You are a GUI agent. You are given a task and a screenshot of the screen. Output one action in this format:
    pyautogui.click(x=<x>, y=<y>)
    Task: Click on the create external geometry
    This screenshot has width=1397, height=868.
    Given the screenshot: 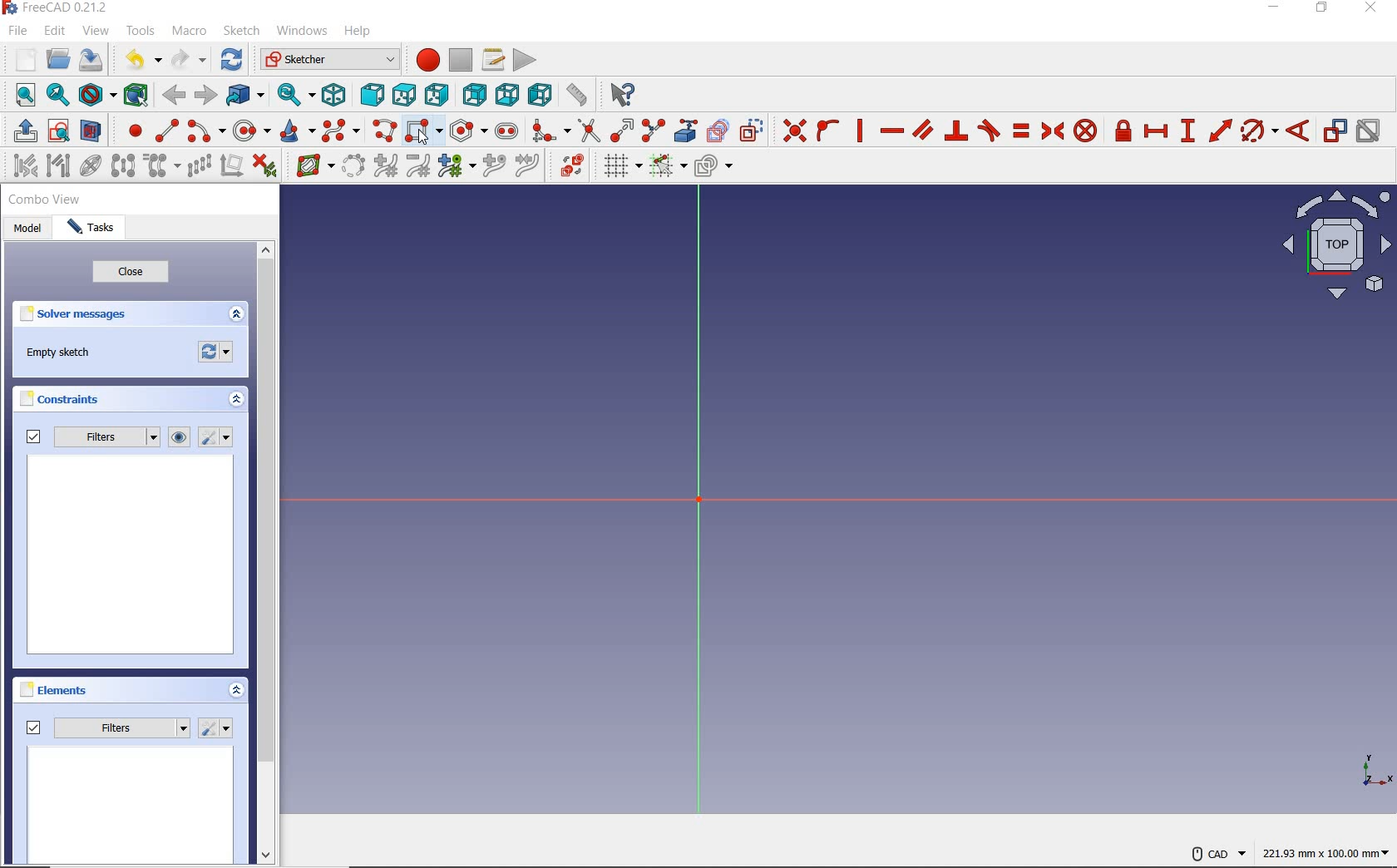 What is the action you would take?
    pyautogui.click(x=687, y=131)
    